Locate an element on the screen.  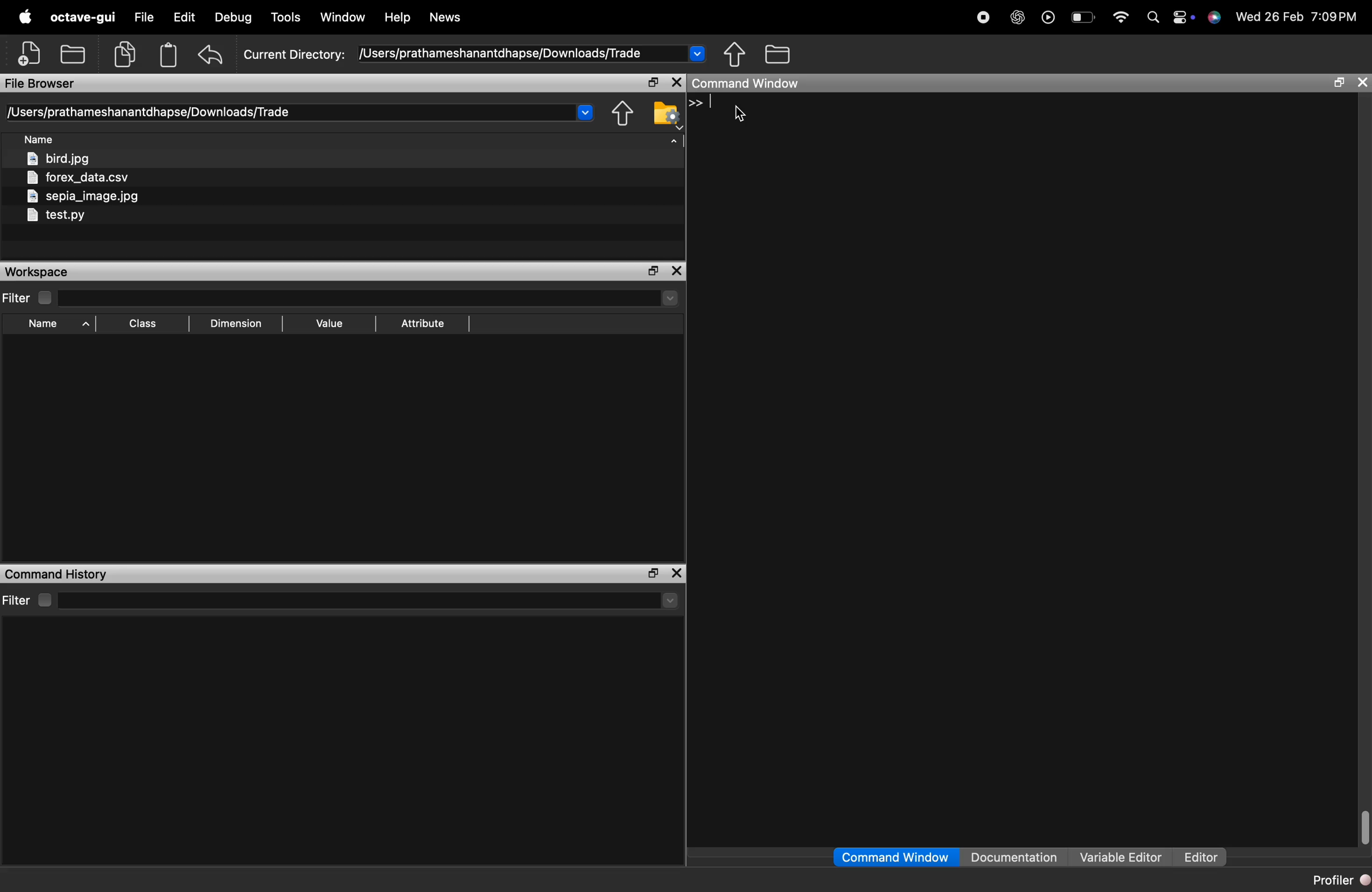
maximize is located at coordinates (1341, 83).